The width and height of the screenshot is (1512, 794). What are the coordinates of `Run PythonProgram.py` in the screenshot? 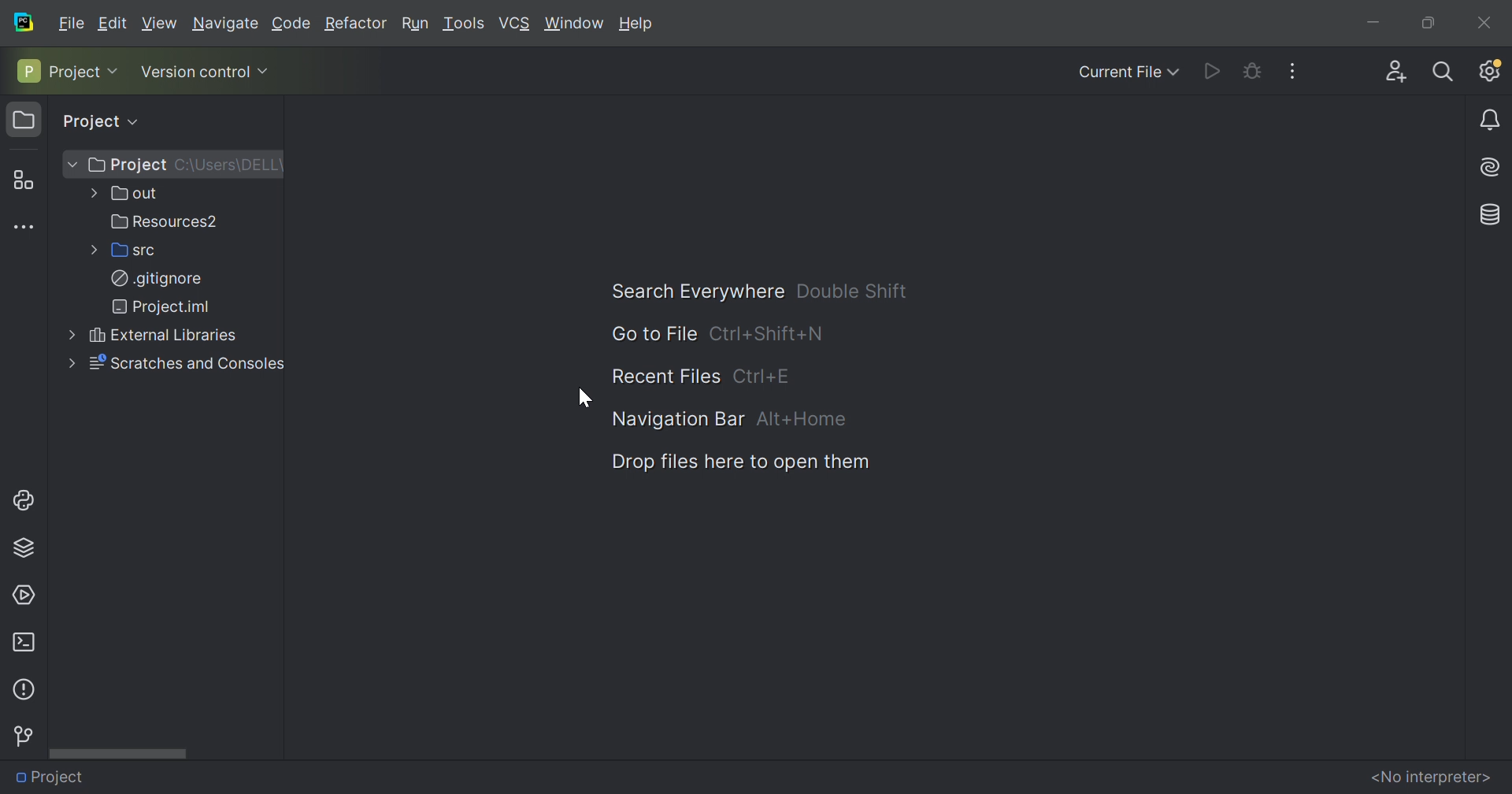 It's located at (1213, 70).